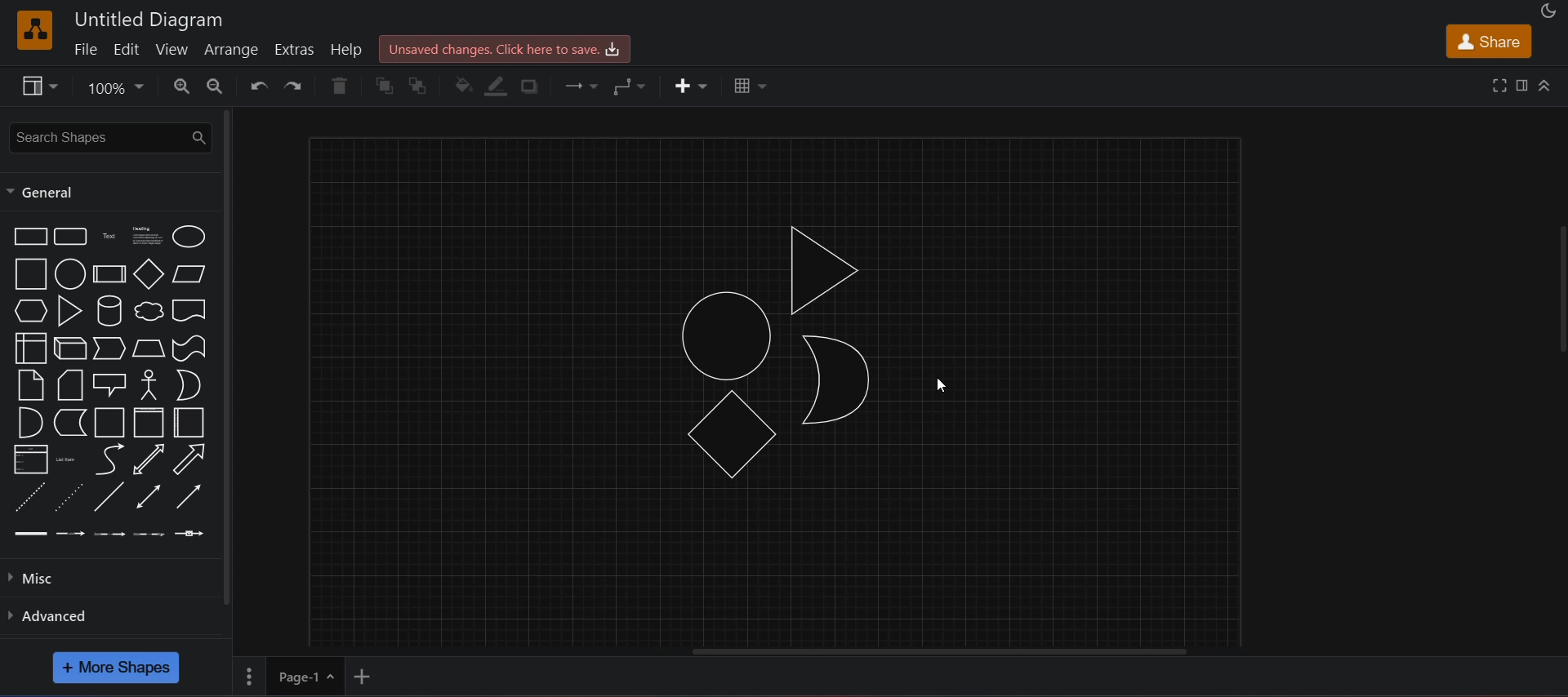 The image size is (1568, 697). Describe the element at coordinates (189, 458) in the screenshot. I see `arrow` at that location.